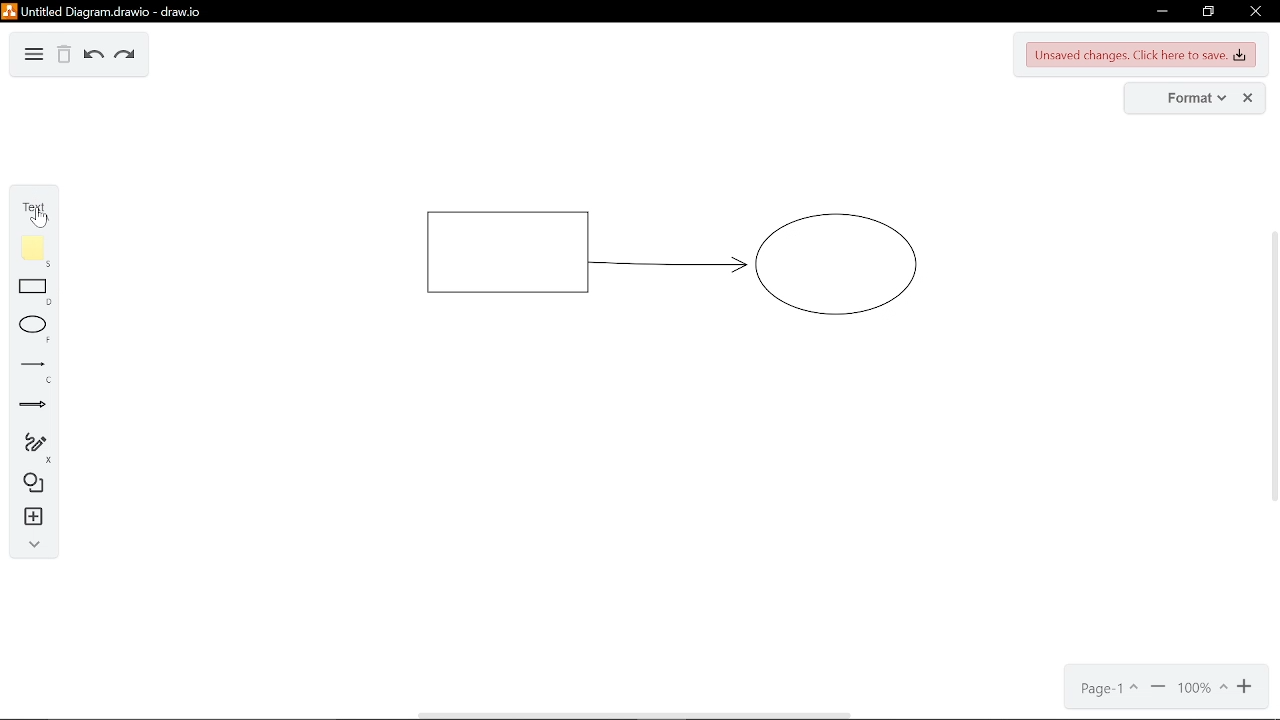  Describe the element at coordinates (37, 291) in the screenshot. I see `rectangle` at that location.